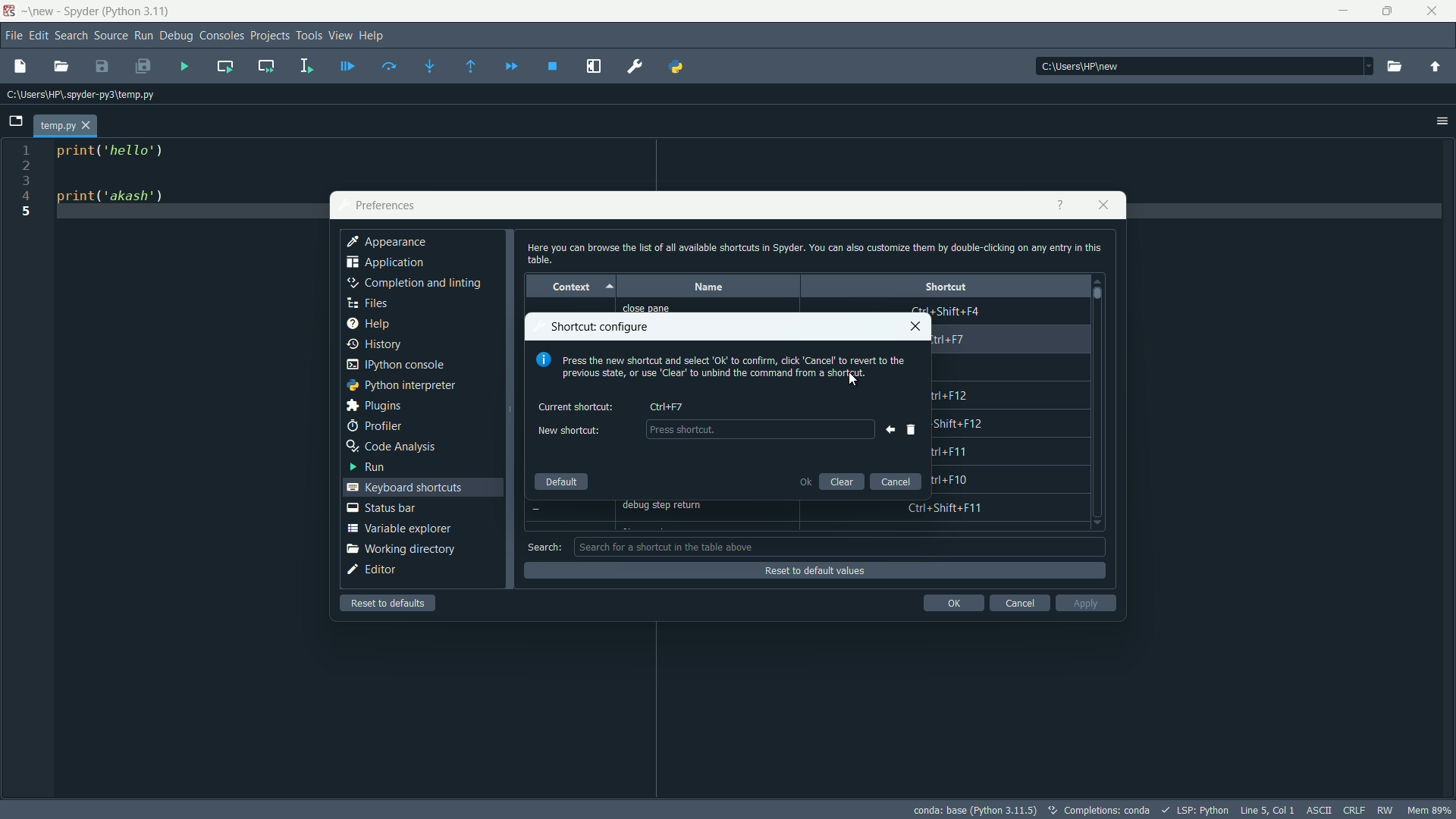 Image resolution: width=1456 pixels, height=819 pixels. What do you see at coordinates (886, 429) in the screenshot?
I see `remove last key sequence` at bounding box center [886, 429].